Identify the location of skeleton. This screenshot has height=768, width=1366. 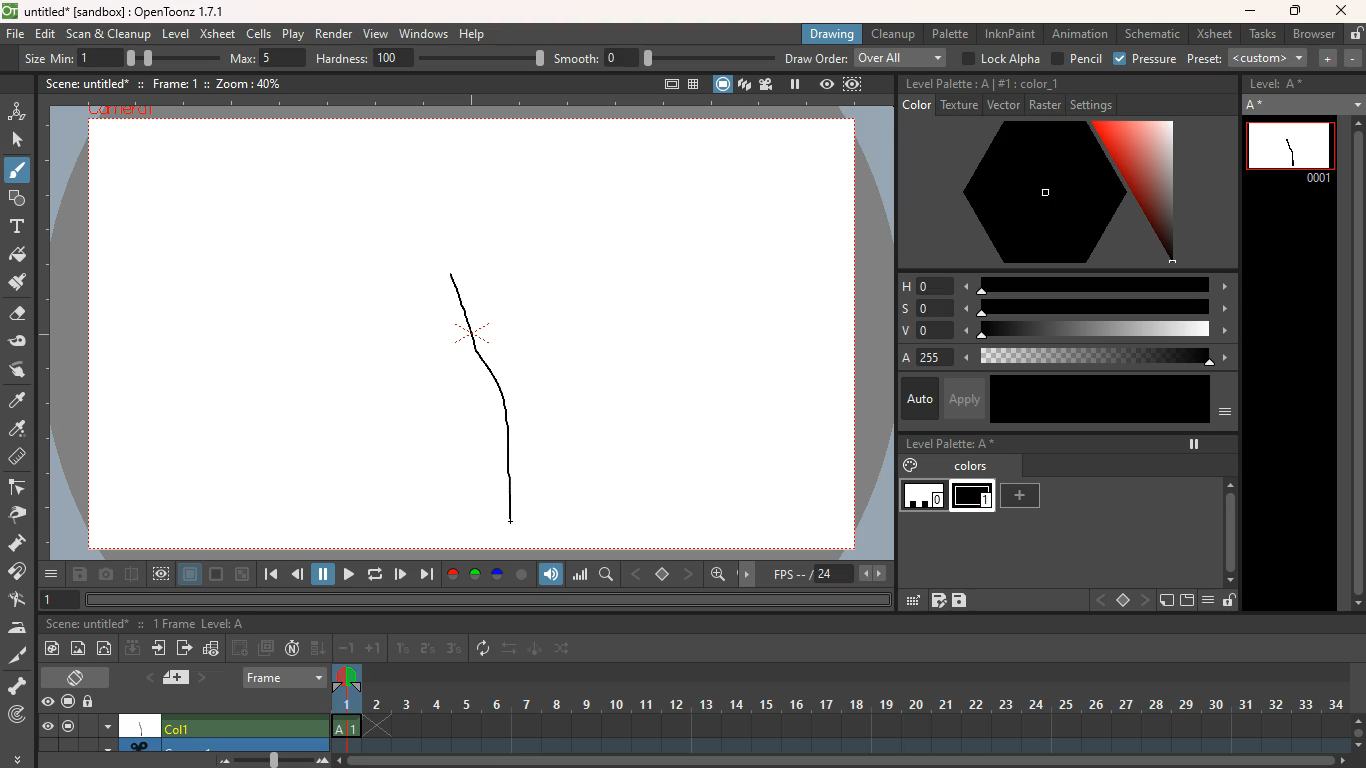
(19, 686).